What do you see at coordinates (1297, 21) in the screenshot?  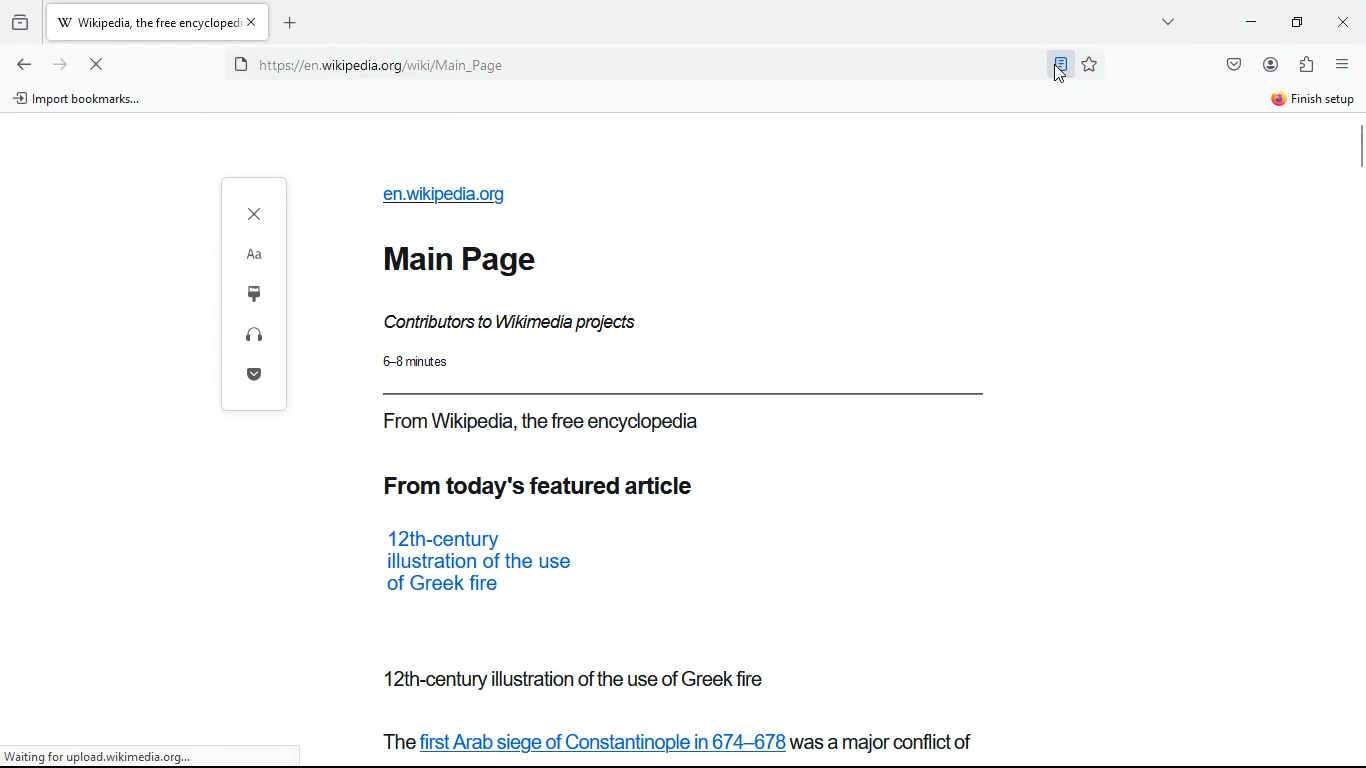 I see `maximize` at bounding box center [1297, 21].